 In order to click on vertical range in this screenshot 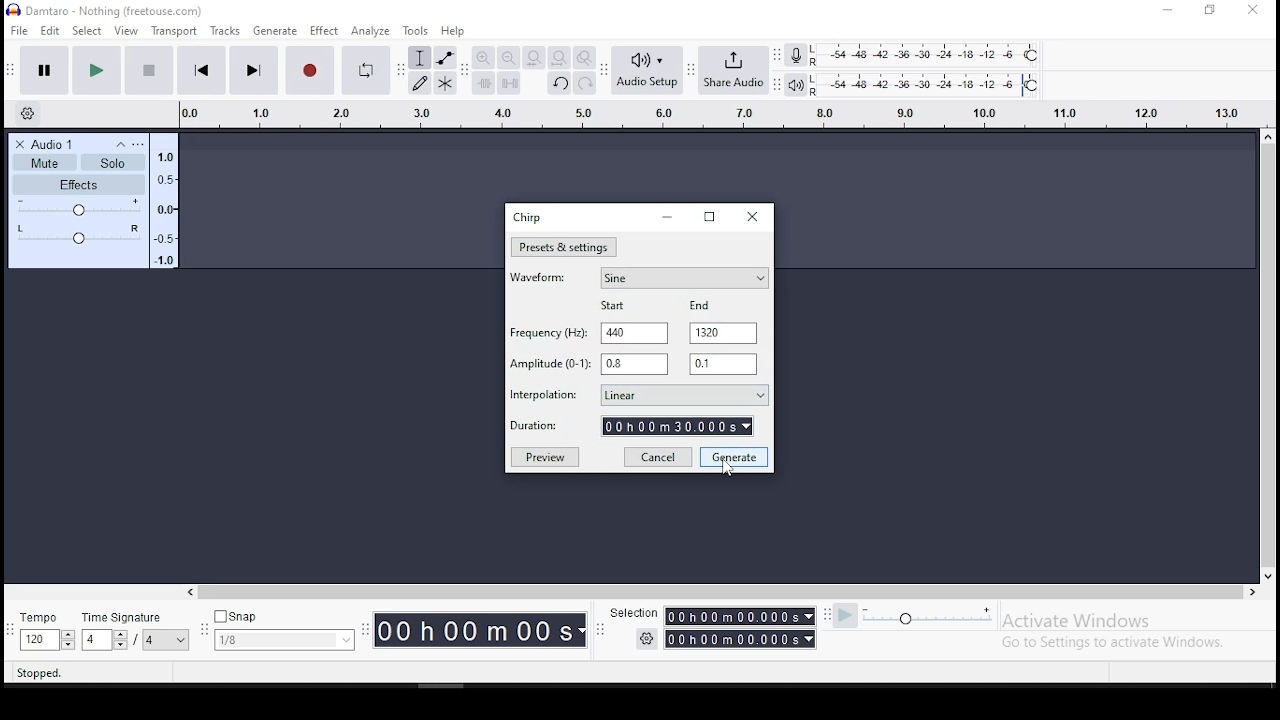, I will do `click(708, 111)`.